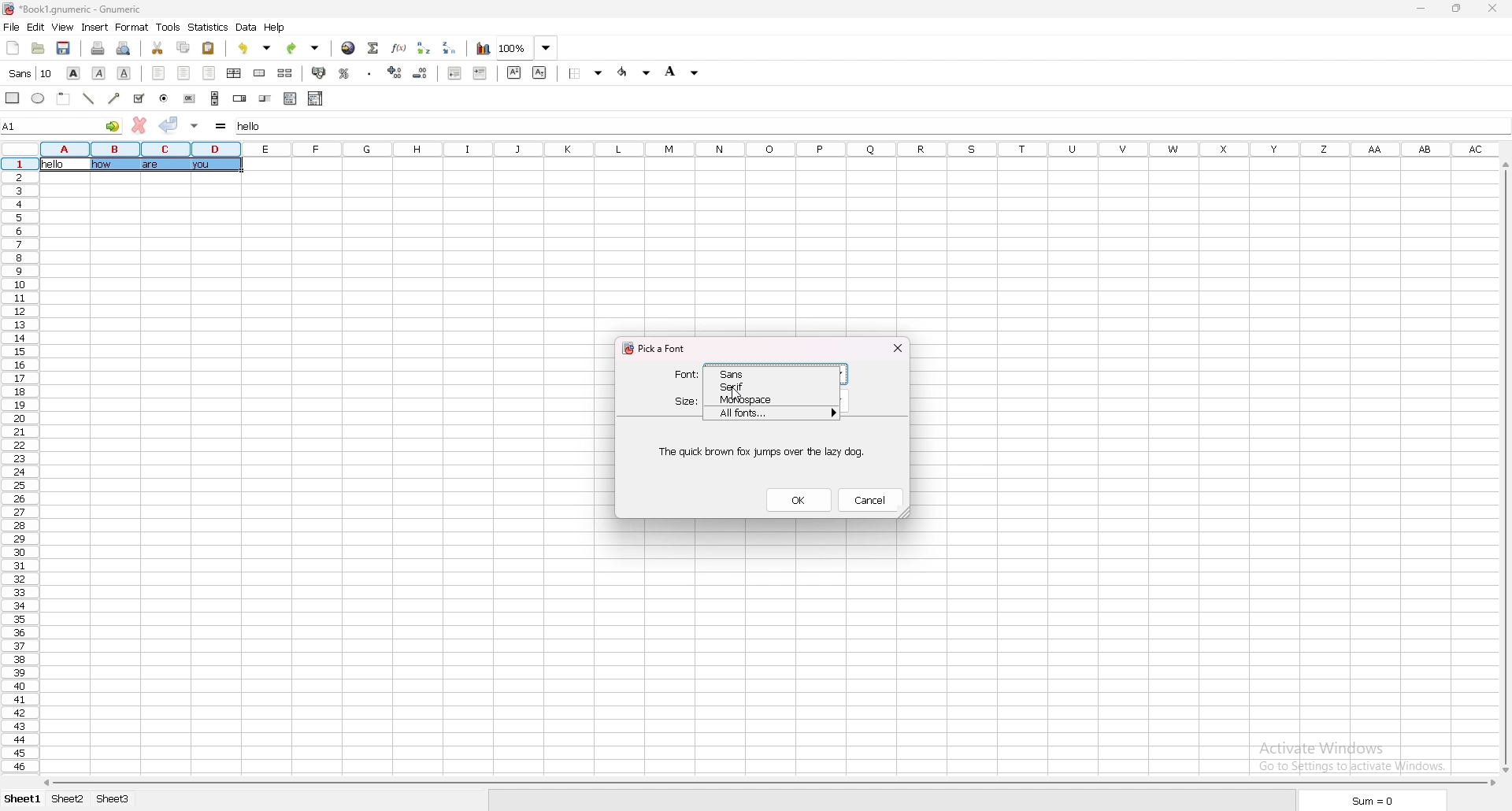 This screenshot has width=1512, height=811. Describe the element at coordinates (869, 500) in the screenshot. I see `cancel` at that location.